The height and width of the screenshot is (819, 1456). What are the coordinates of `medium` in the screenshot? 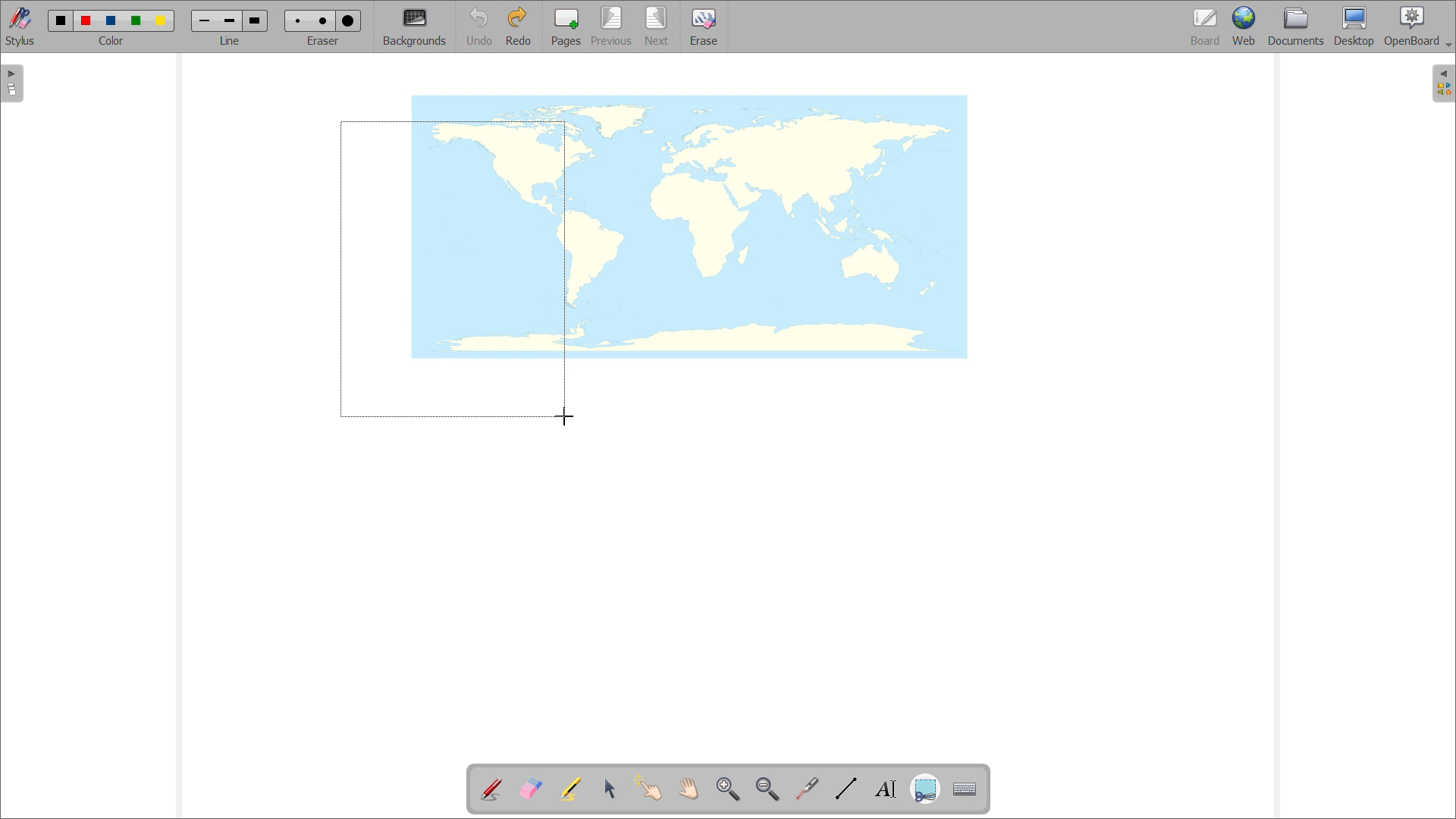 It's located at (229, 21).